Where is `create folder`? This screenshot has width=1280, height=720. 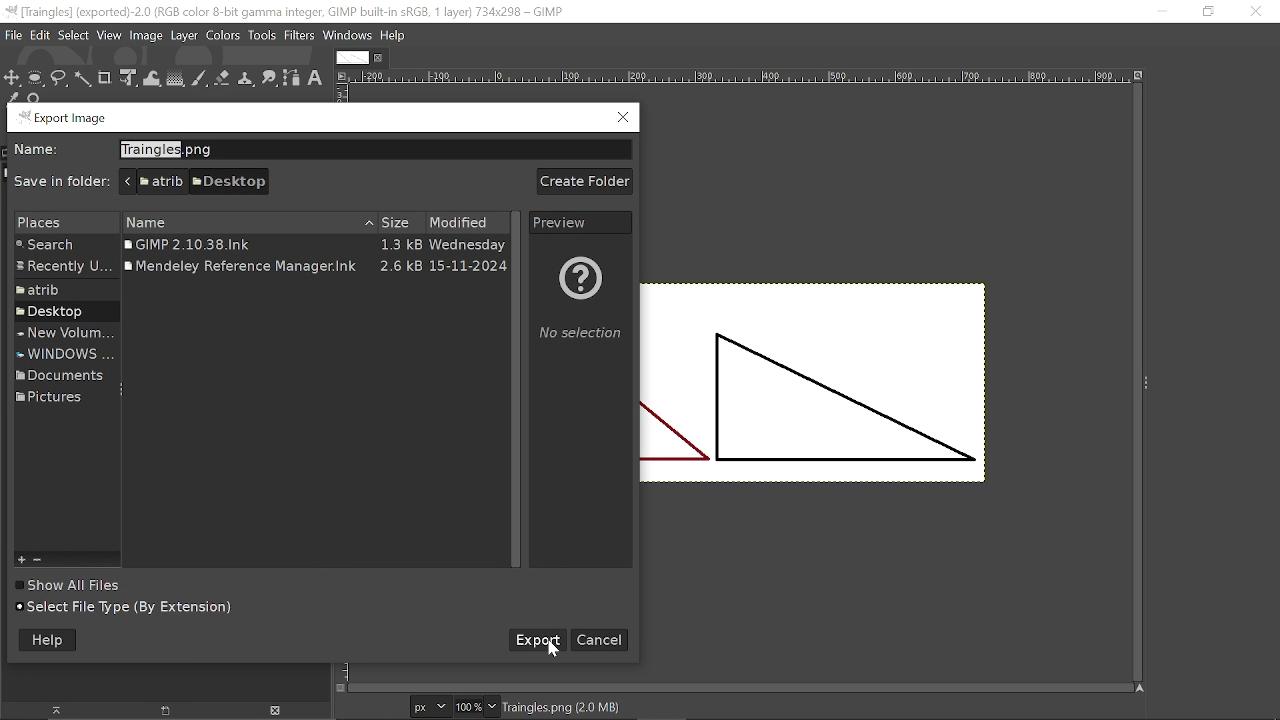
create folder is located at coordinates (587, 180).